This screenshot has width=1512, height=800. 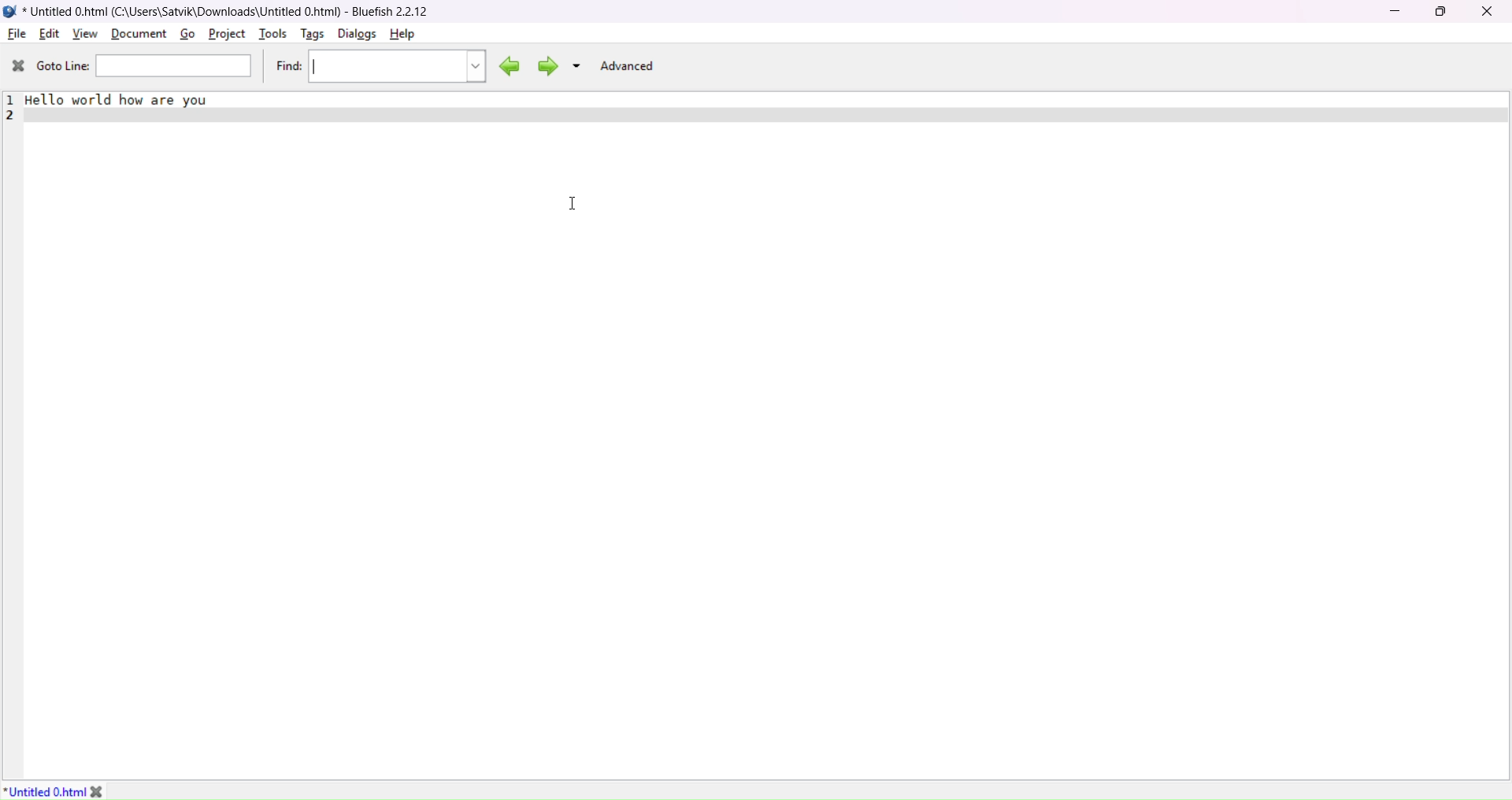 I want to click on enter line number, so click(x=176, y=66).